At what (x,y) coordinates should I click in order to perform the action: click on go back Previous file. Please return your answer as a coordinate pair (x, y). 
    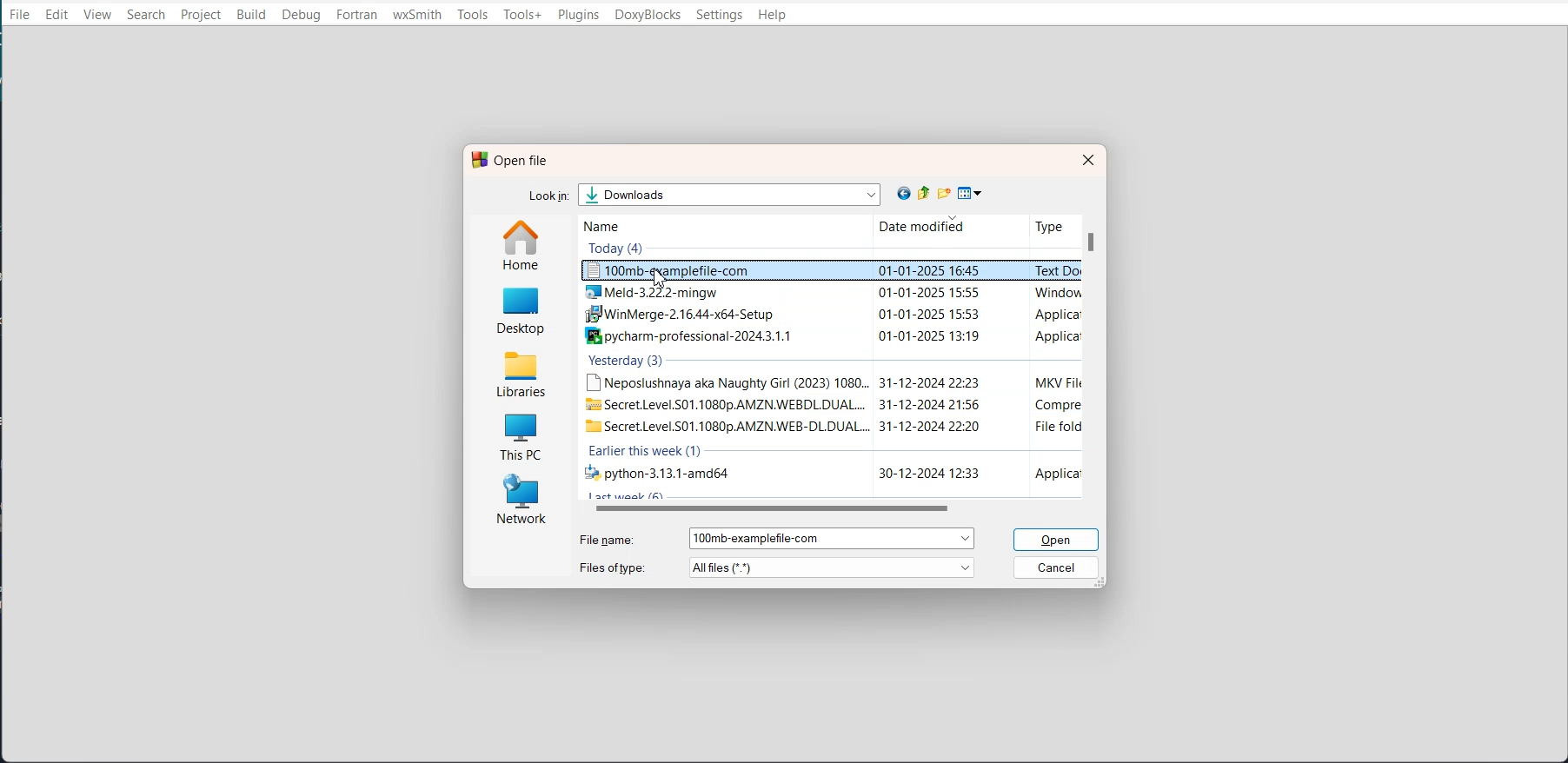
    Looking at the image, I should click on (905, 194).